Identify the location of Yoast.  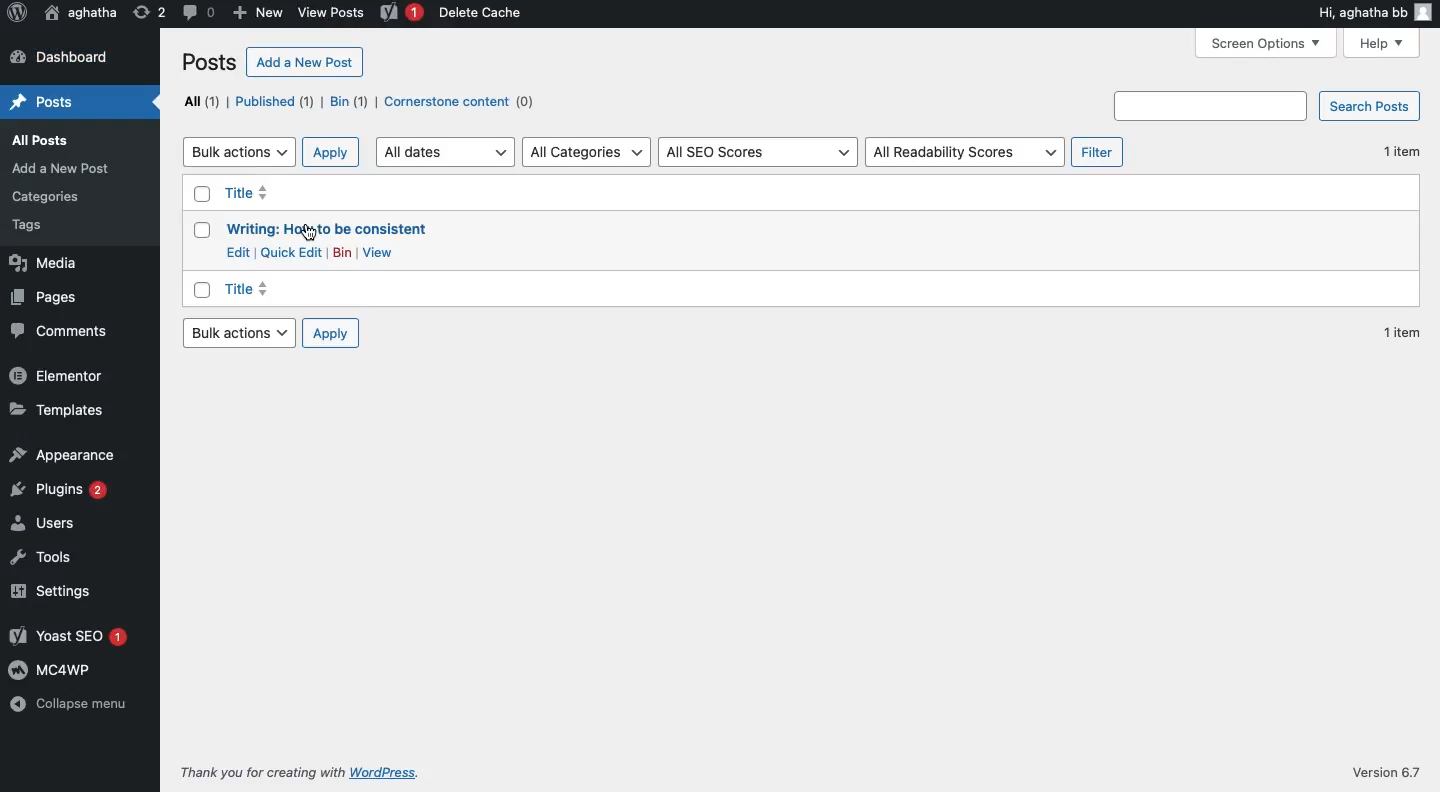
(402, 14).